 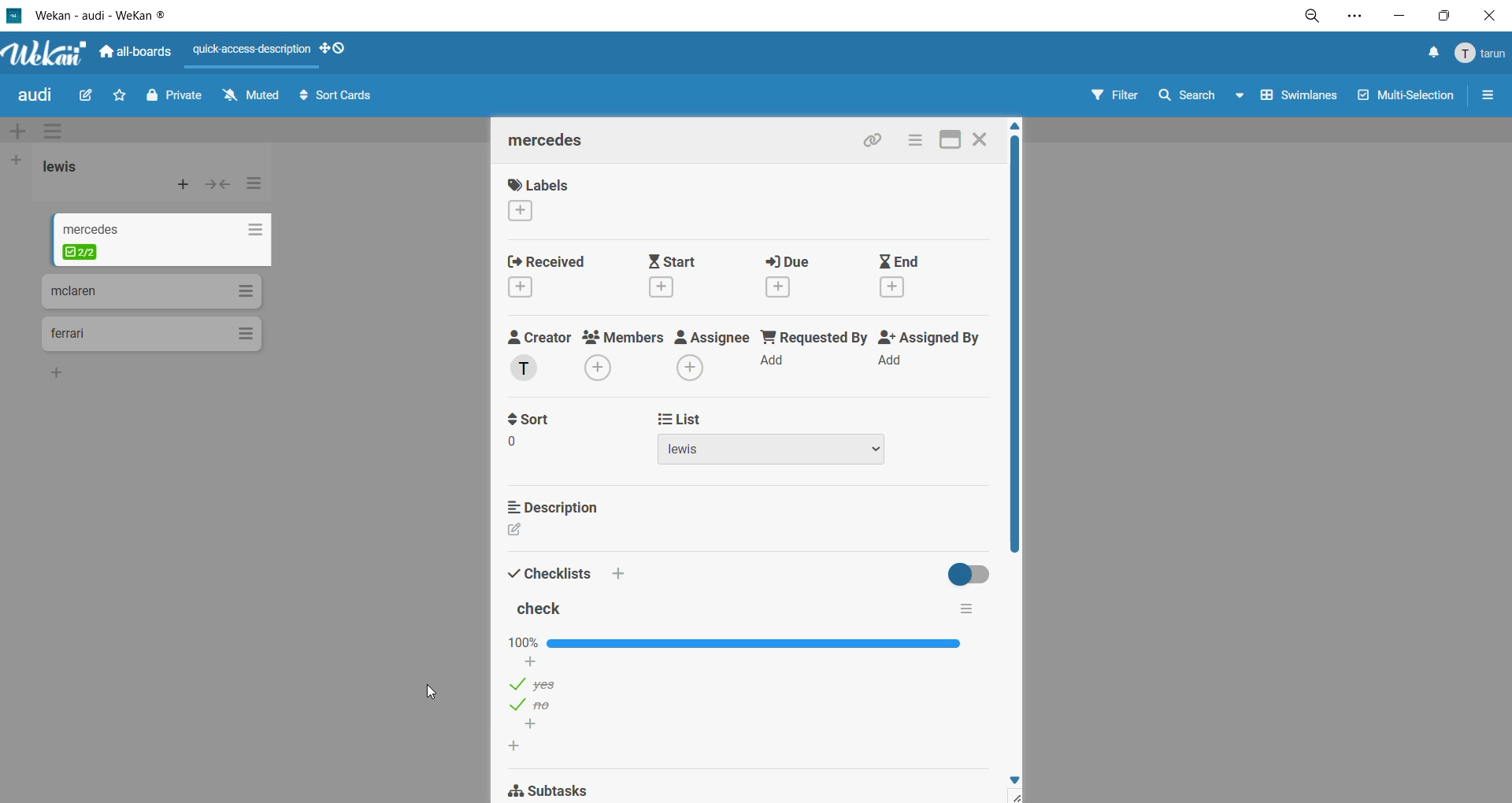 What do you see at coordinates (1445, 15) in the screenshot?
I see `maximize` at bounding box center [1445, 15].